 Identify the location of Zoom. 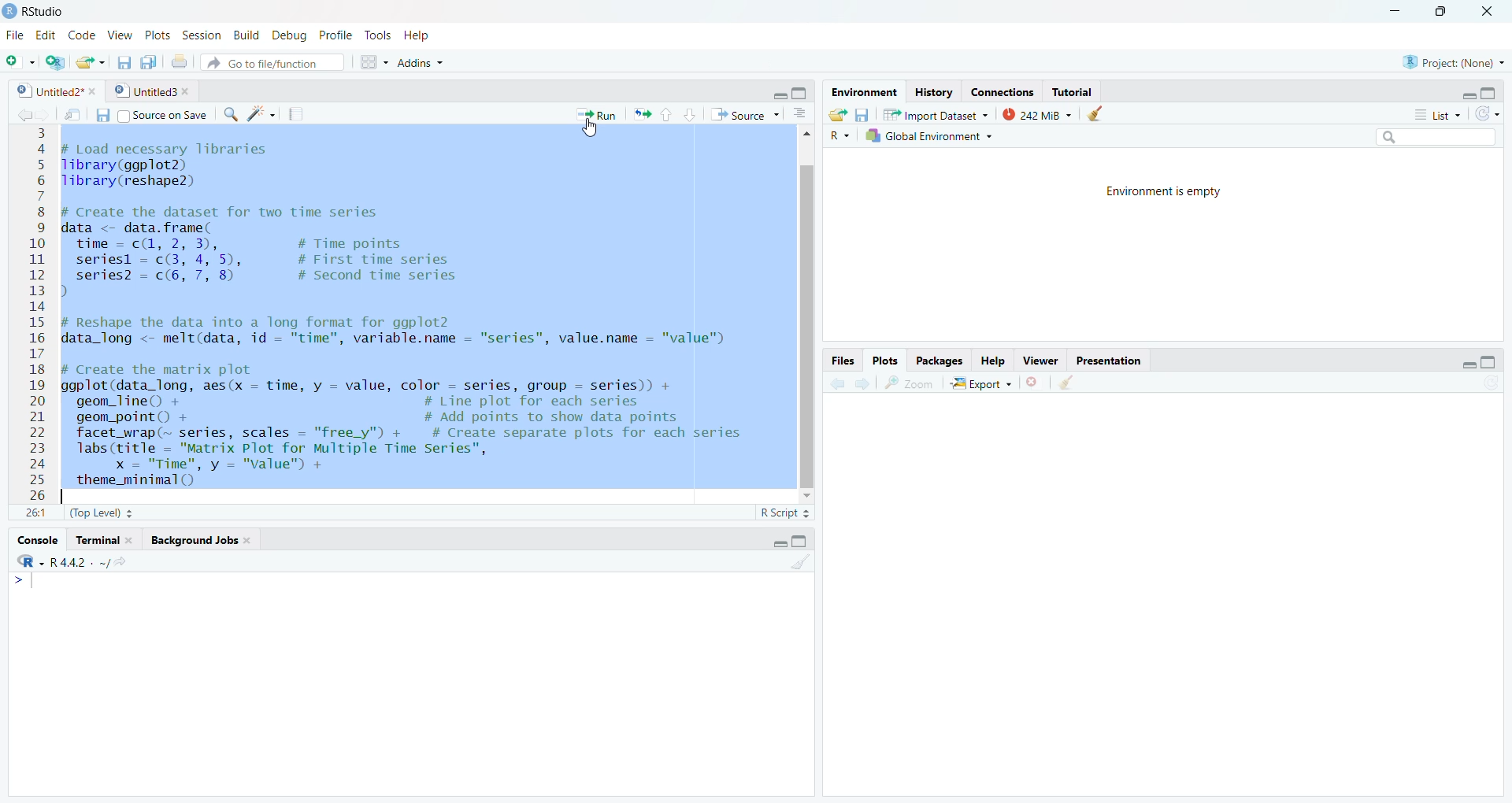
(909, 383).